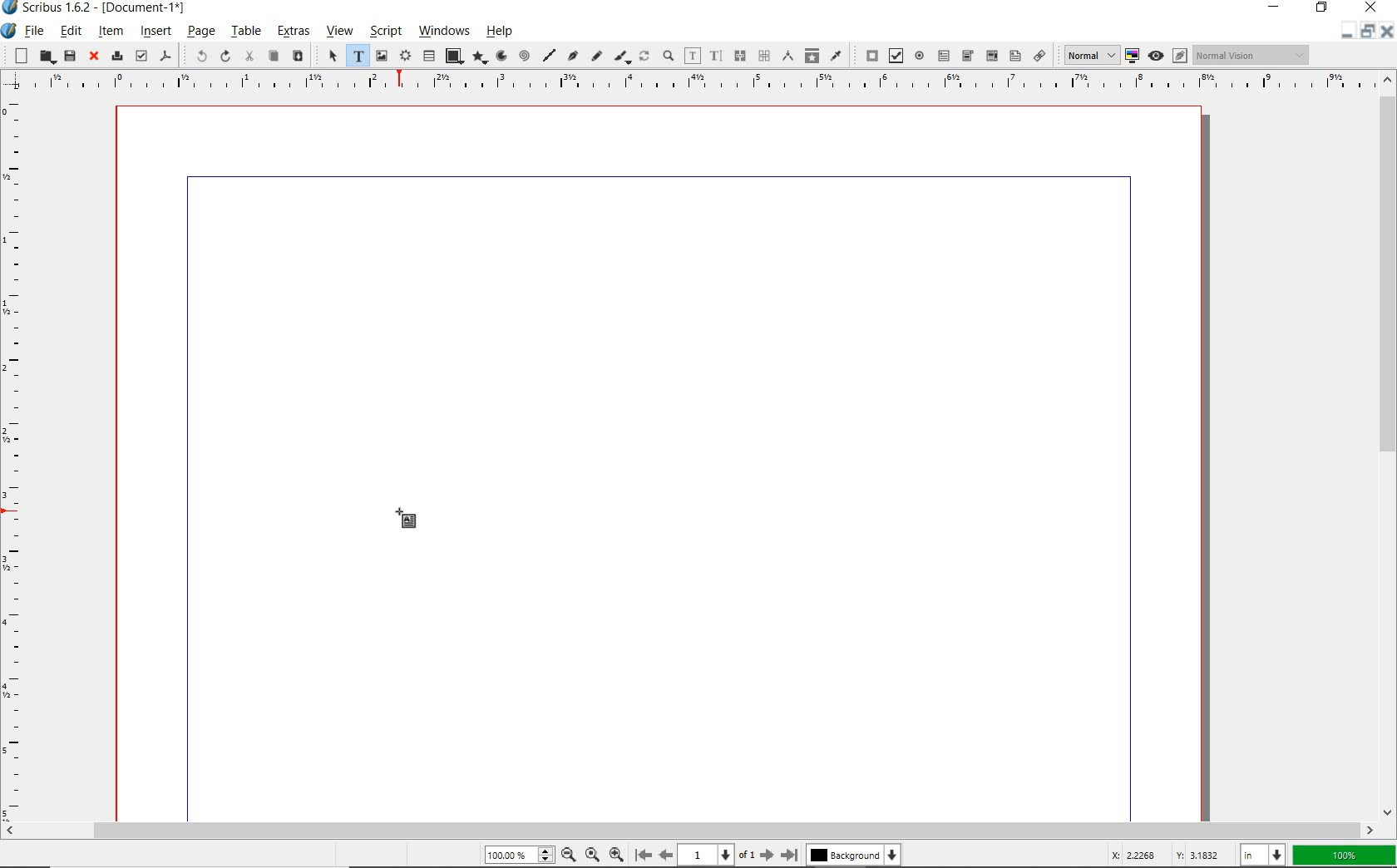 The width and height of the screenshot is (1397, 868). Describe the element at coordinates (273, 57) in the screenshot. I see `copy` at that location.